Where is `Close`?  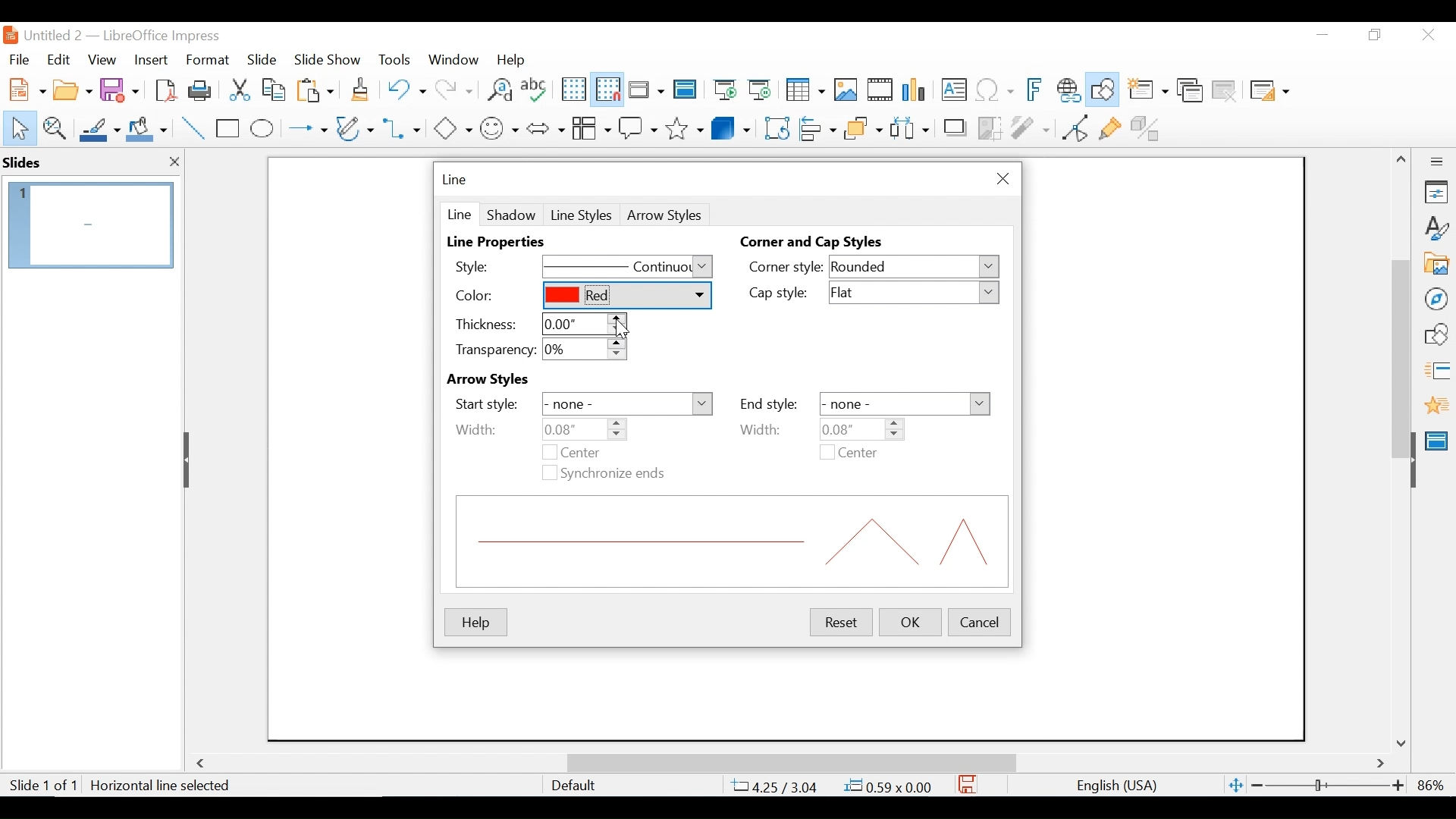
Close is located at coordinates (1426, 36).